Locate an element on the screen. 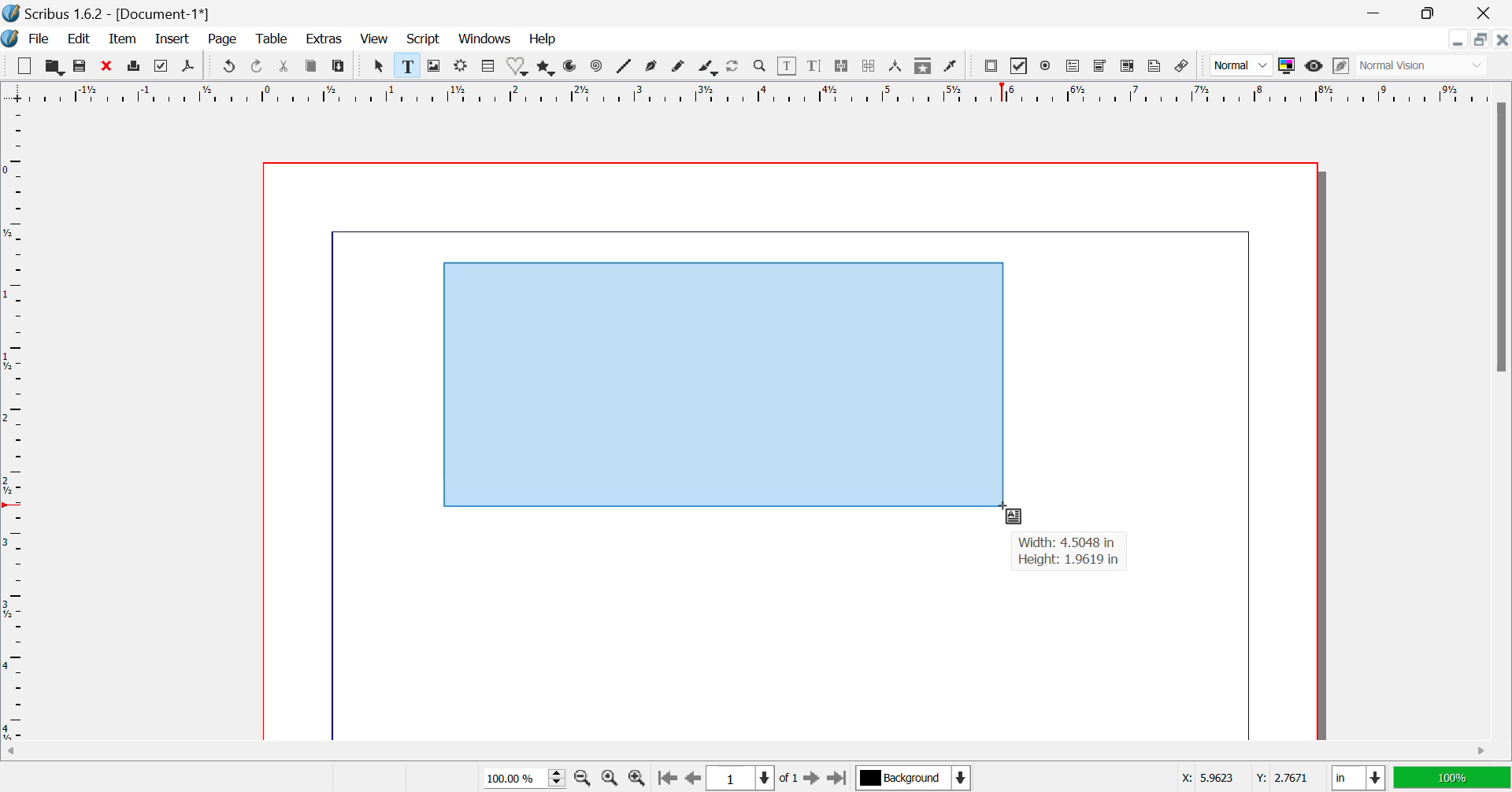 Image resolution: width=1512 pixels, height=792 pixels. Link annotation is located at coordinates (1185, 67).